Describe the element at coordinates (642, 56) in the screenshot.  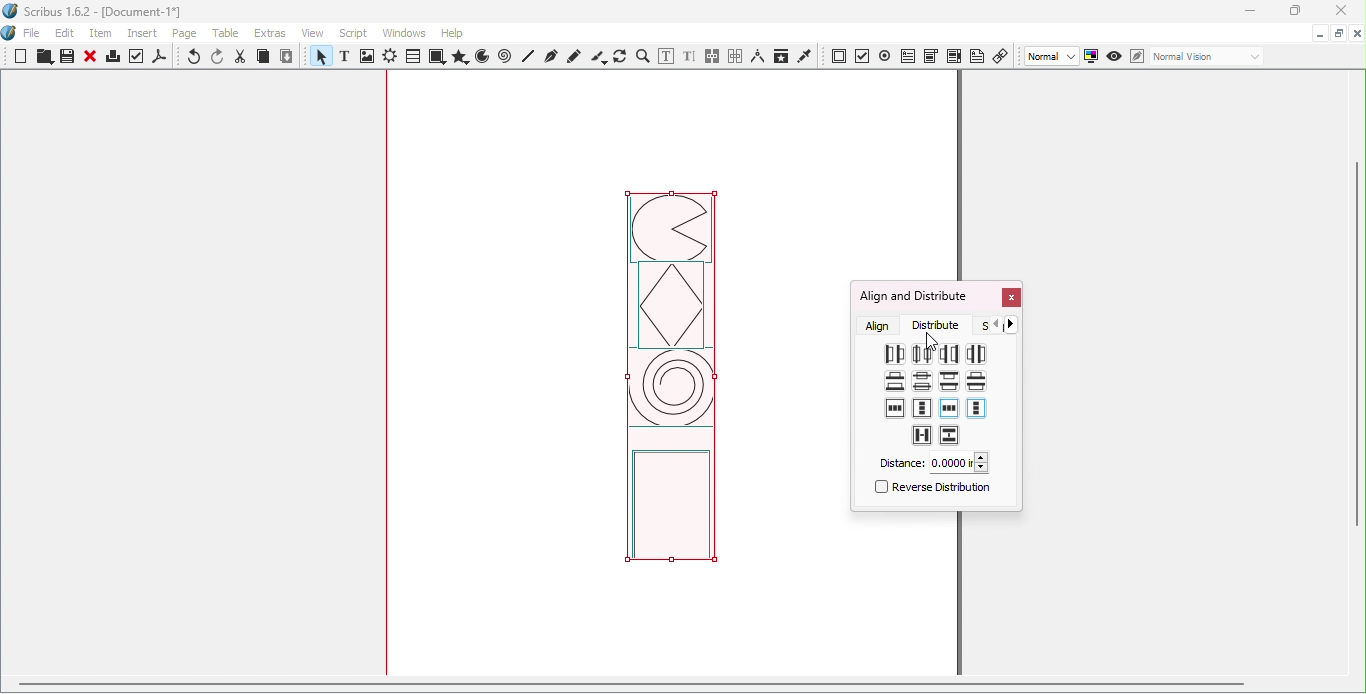
I see `Zoom in or out` at that location.